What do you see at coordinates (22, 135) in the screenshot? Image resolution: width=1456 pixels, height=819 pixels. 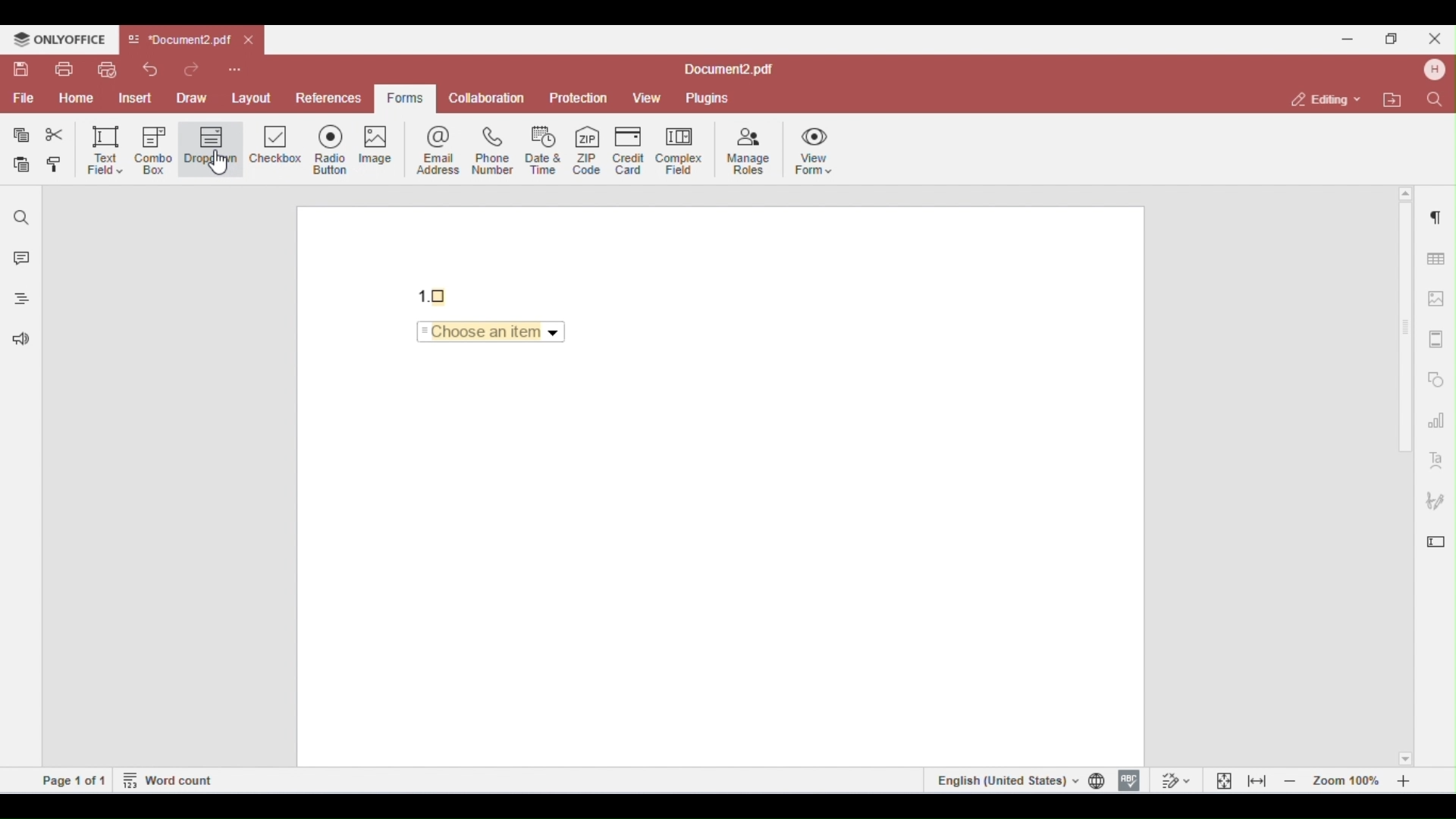 I see `copy` at bounding box center [22, 135].